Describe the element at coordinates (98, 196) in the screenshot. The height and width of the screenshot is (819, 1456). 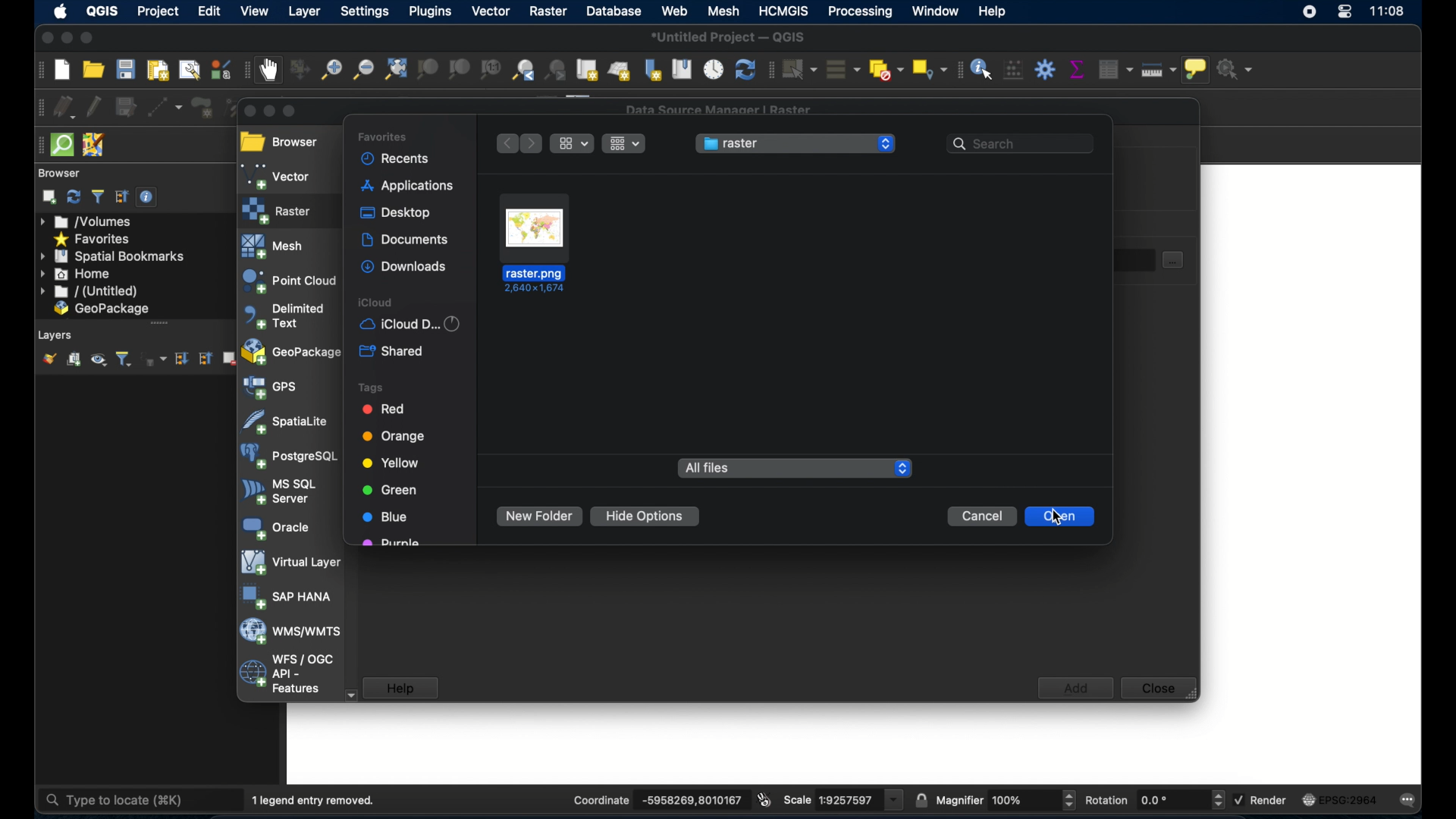
I see `filter browser` at that location.